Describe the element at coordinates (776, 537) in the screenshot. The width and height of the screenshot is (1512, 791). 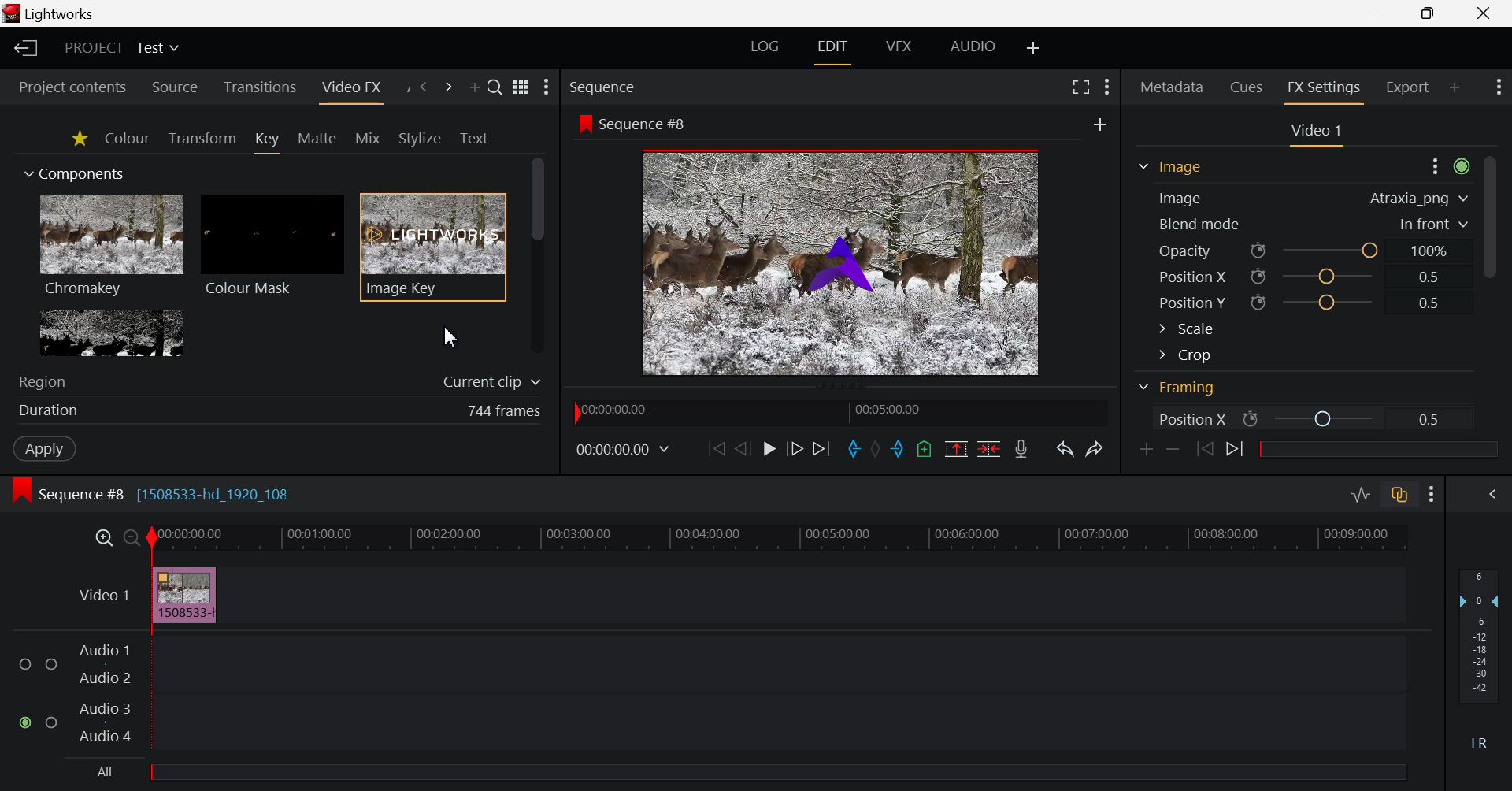
I see `Timeline Track` at that location.